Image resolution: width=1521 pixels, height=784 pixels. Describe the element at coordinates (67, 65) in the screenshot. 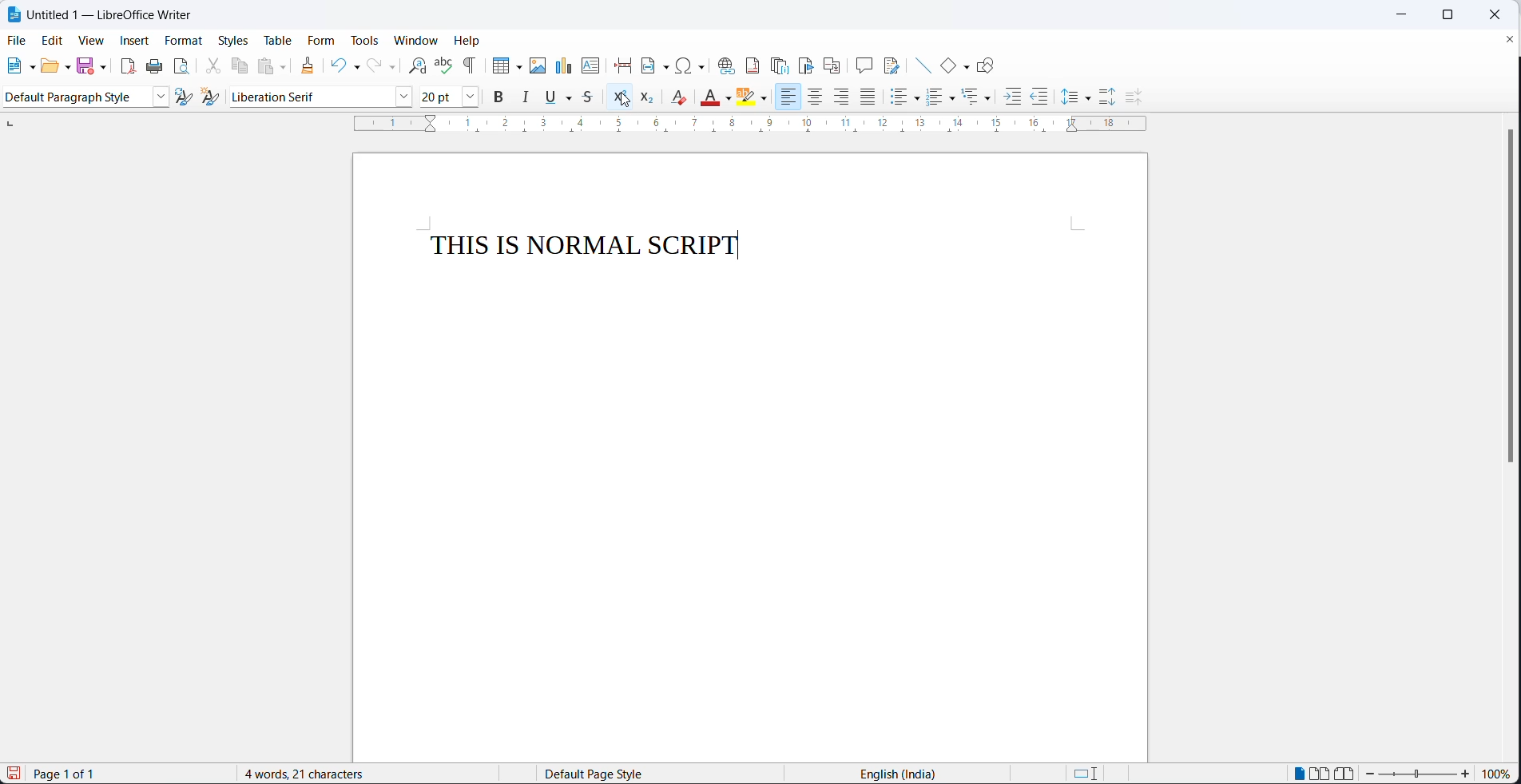

I see `open options` at that location.